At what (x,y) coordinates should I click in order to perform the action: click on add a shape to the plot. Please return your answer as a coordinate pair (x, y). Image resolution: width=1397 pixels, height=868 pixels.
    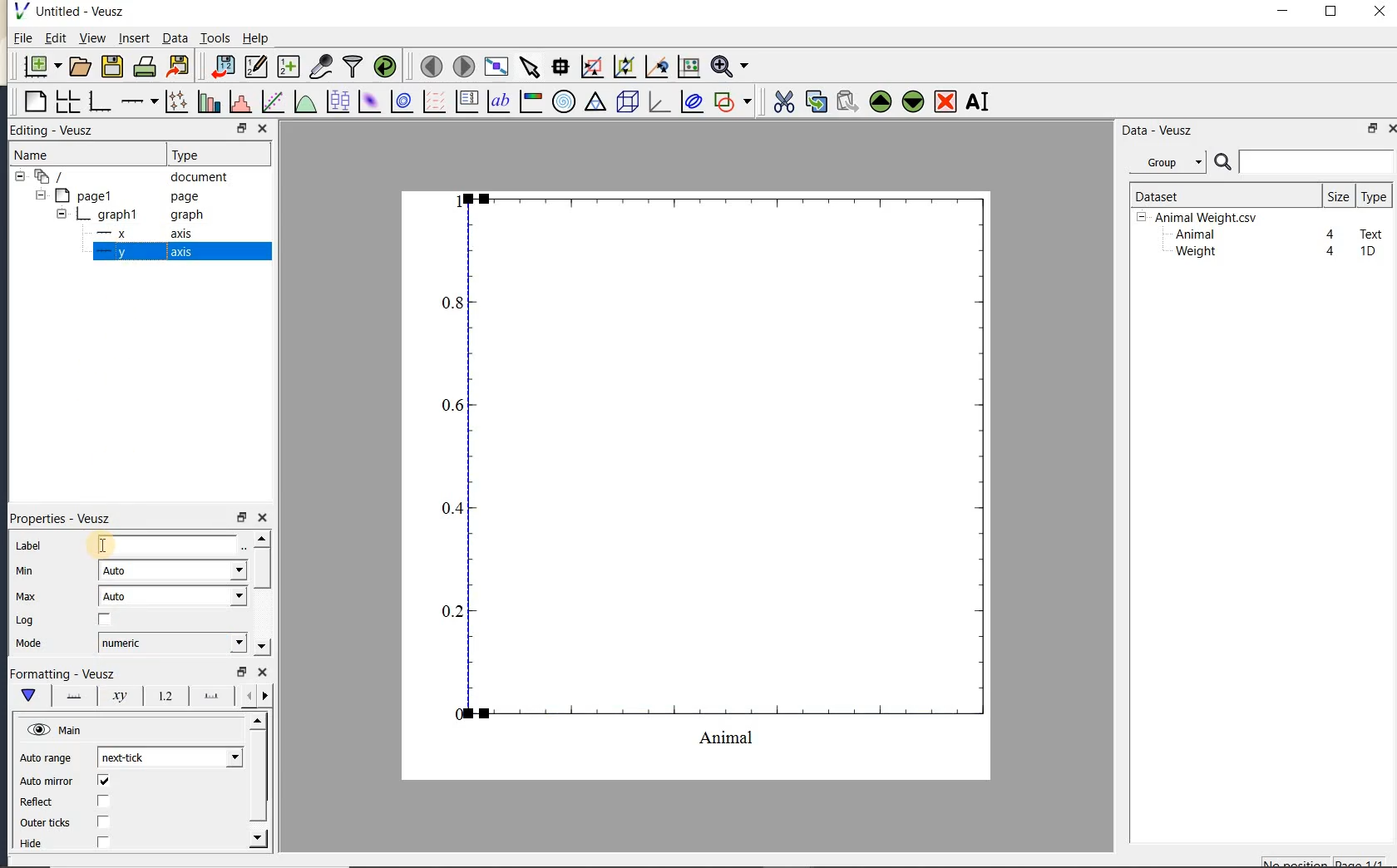
    Looking at the image, I should click on (732, 101).